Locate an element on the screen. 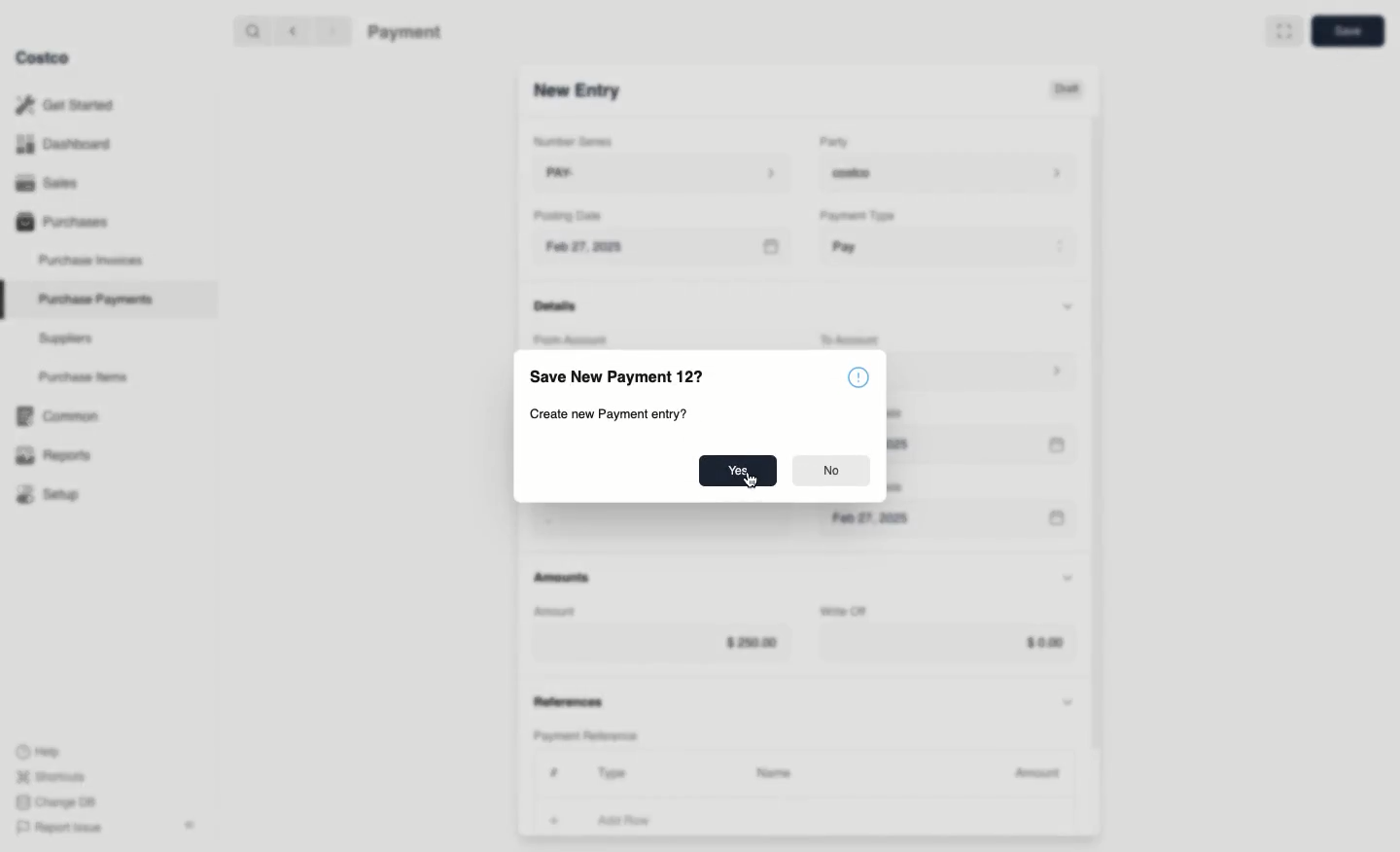 The image size is (1400, 852). ‘Common is located at coordinates (61, 413).